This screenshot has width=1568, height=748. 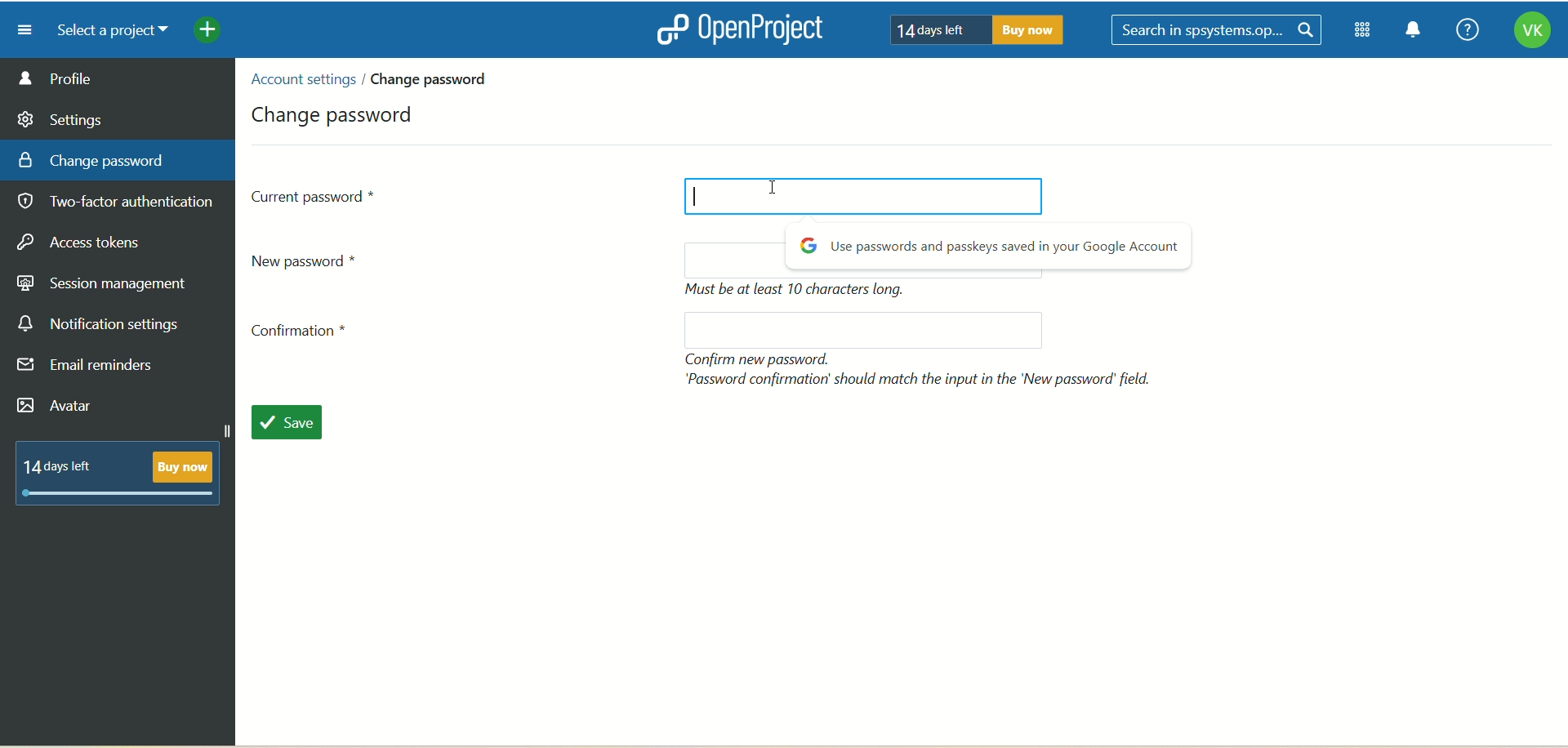 I want to click on settings, so click(x=61, y=117).